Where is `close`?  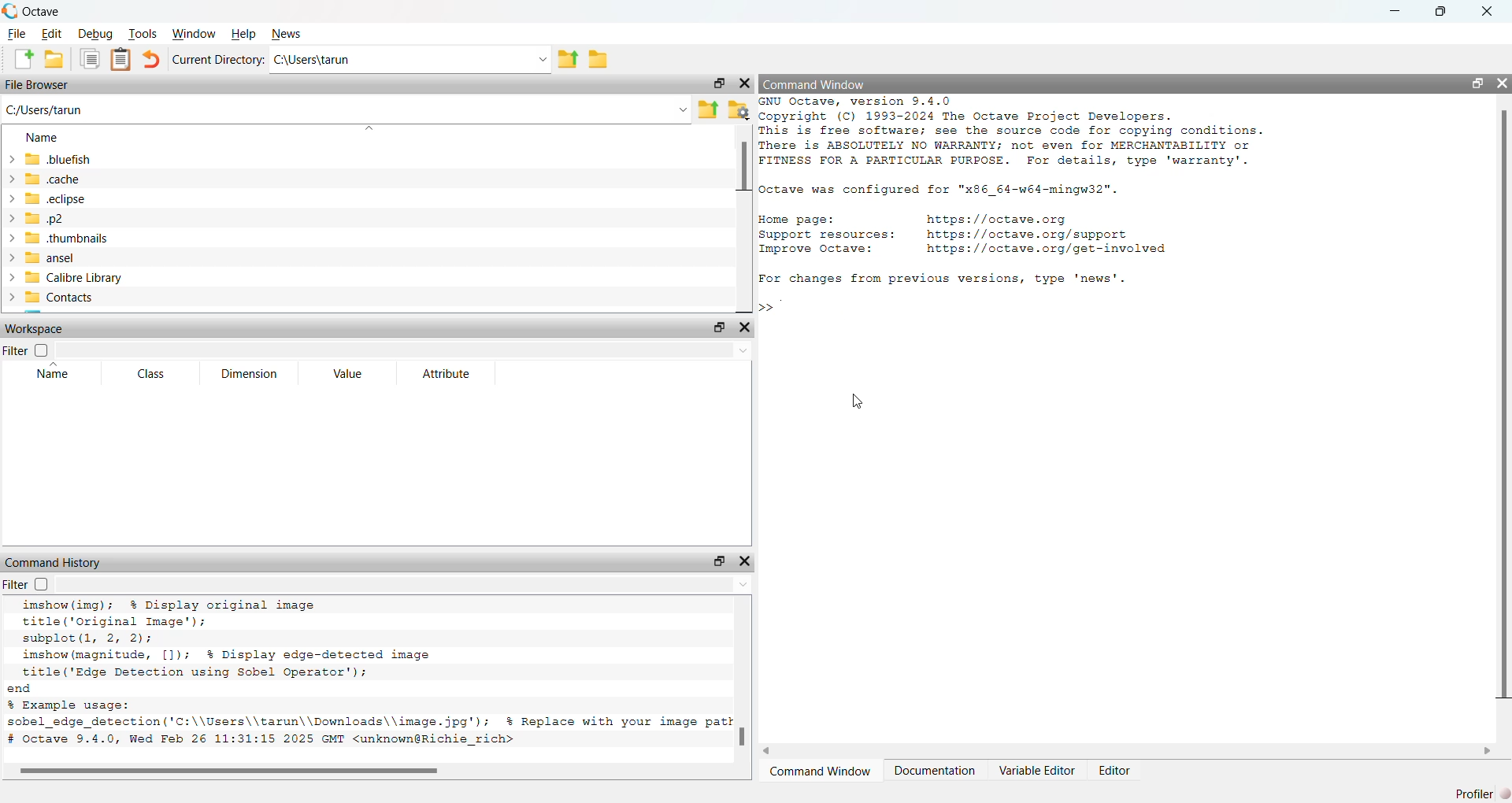
close is located at coordinates (1488, 9).